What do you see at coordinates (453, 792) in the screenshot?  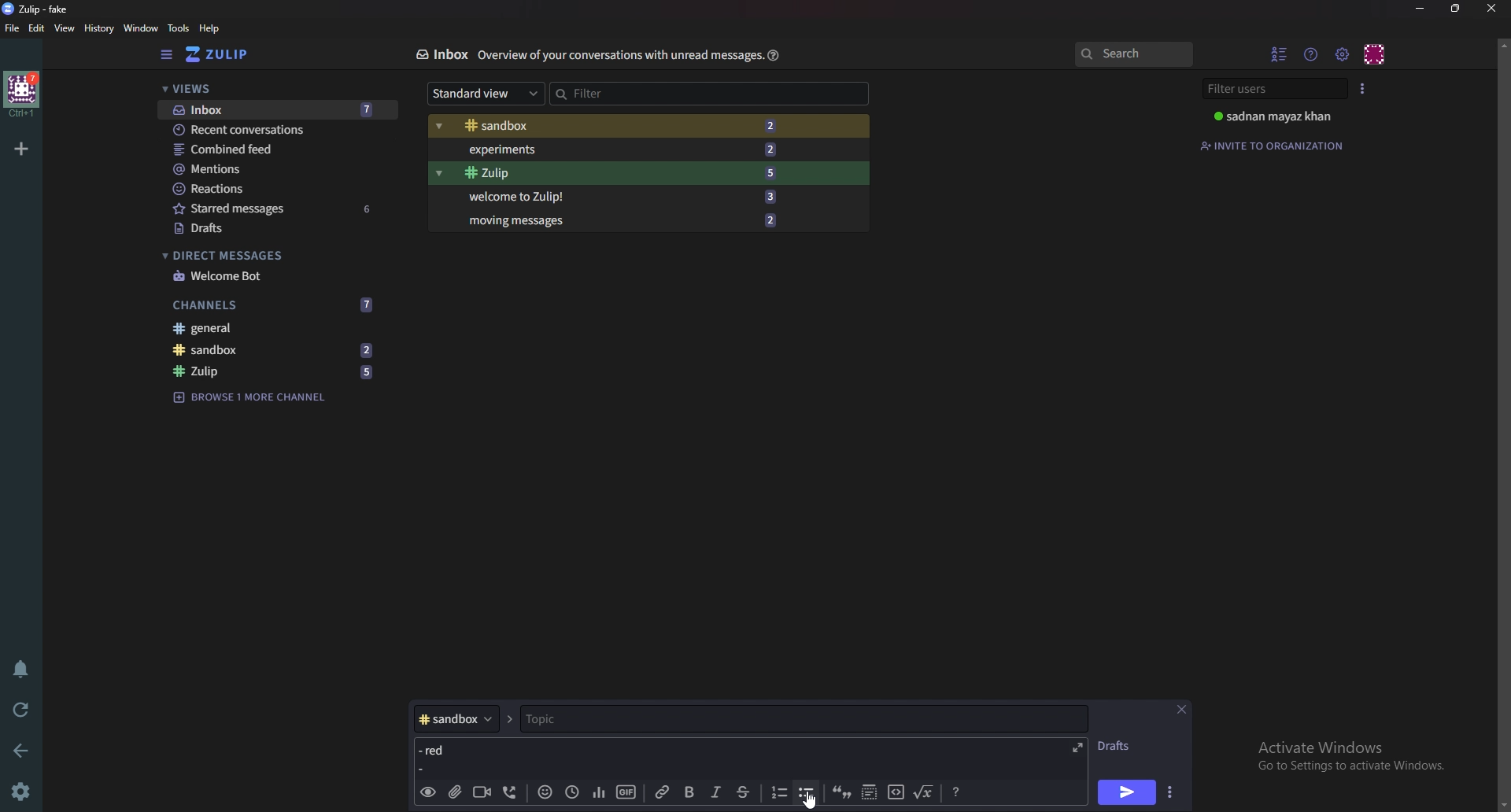 I see `add file` at bounding box center [453, 792].